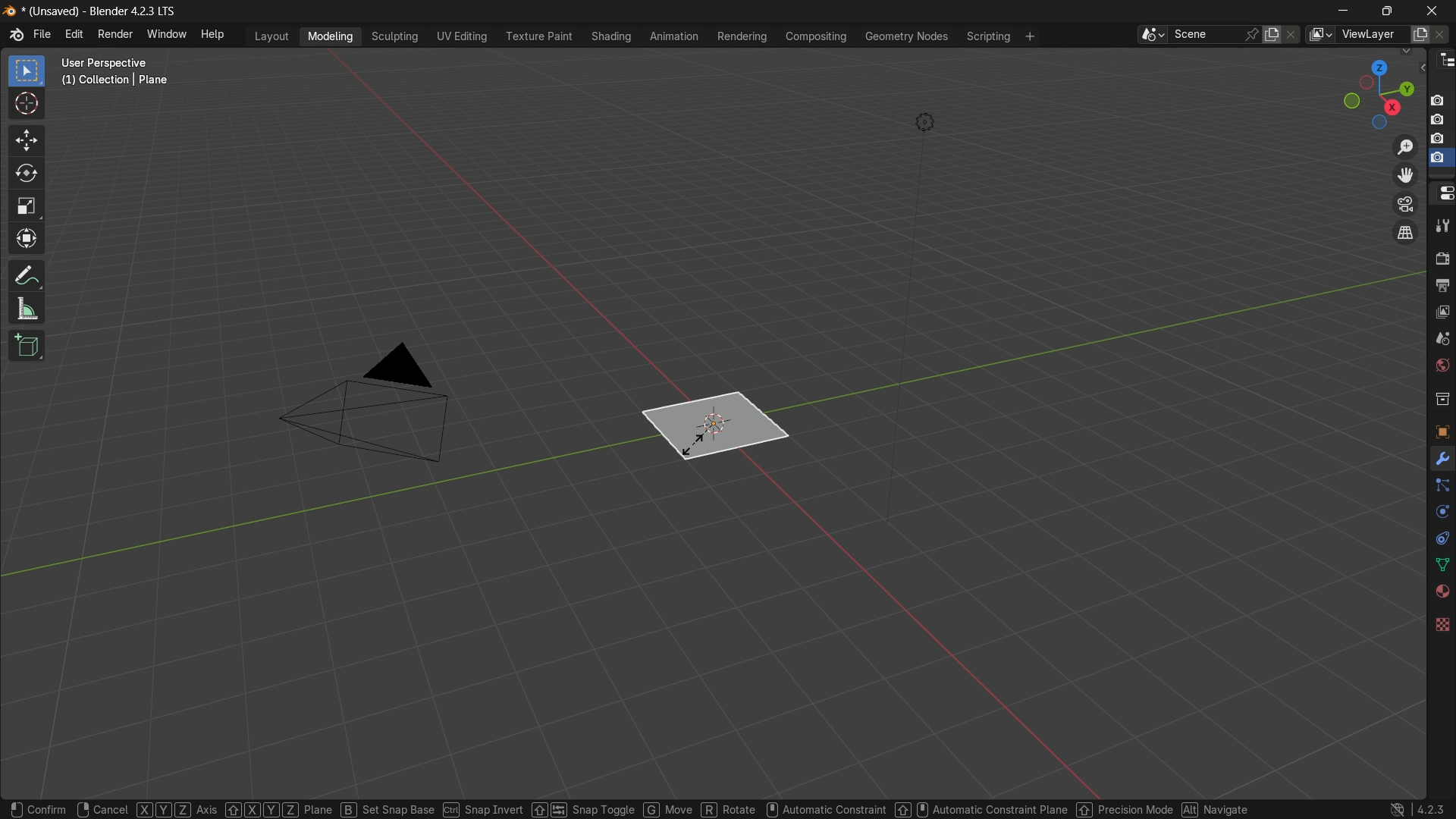 The image size is (1456, 819). Describe the element at coordinates (1441, 284) in the screenshot. I see `output` at that location.